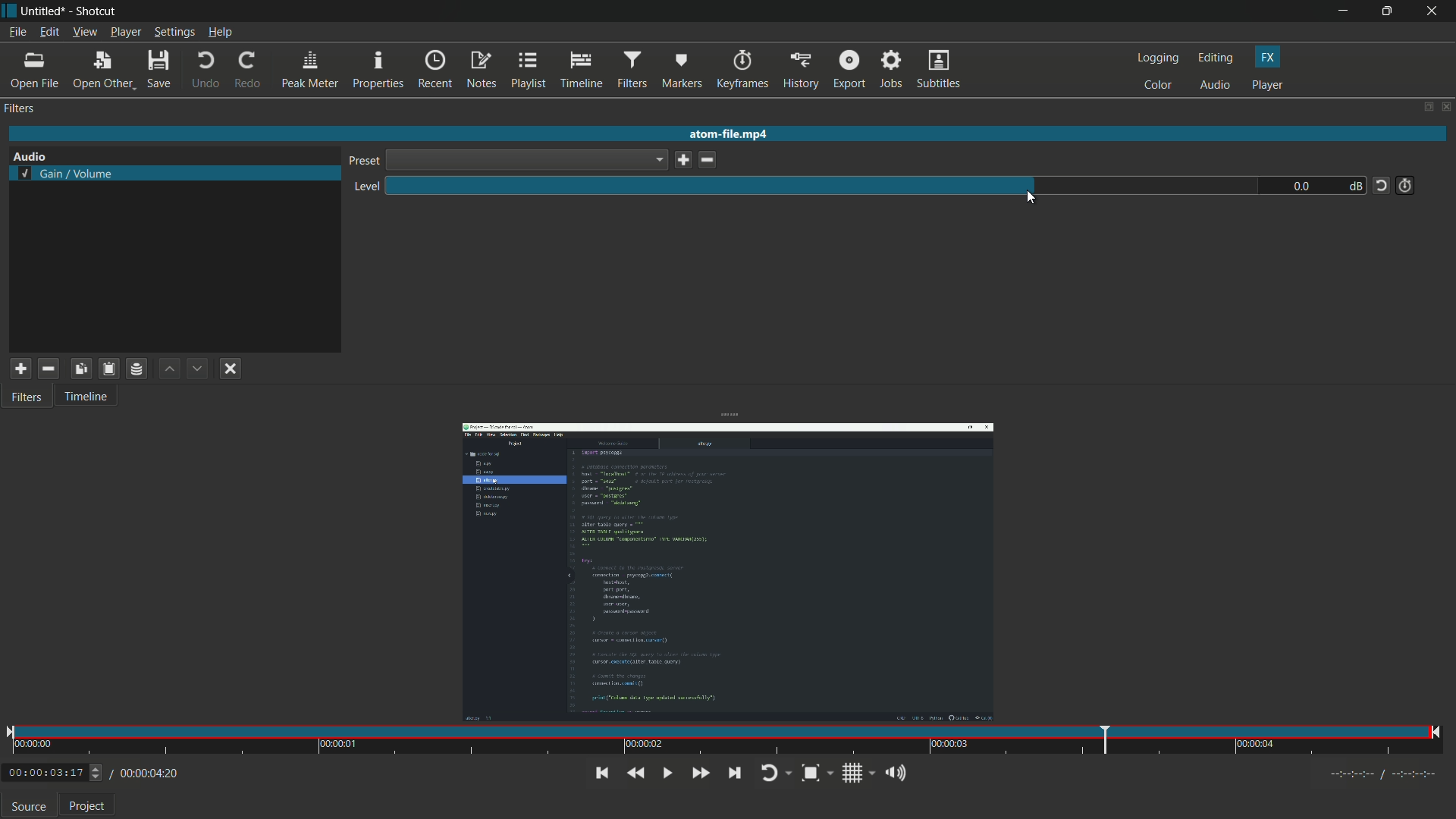  Describe the element at coordinates (435, 71) in the screenshot. I see `recent` at that location.